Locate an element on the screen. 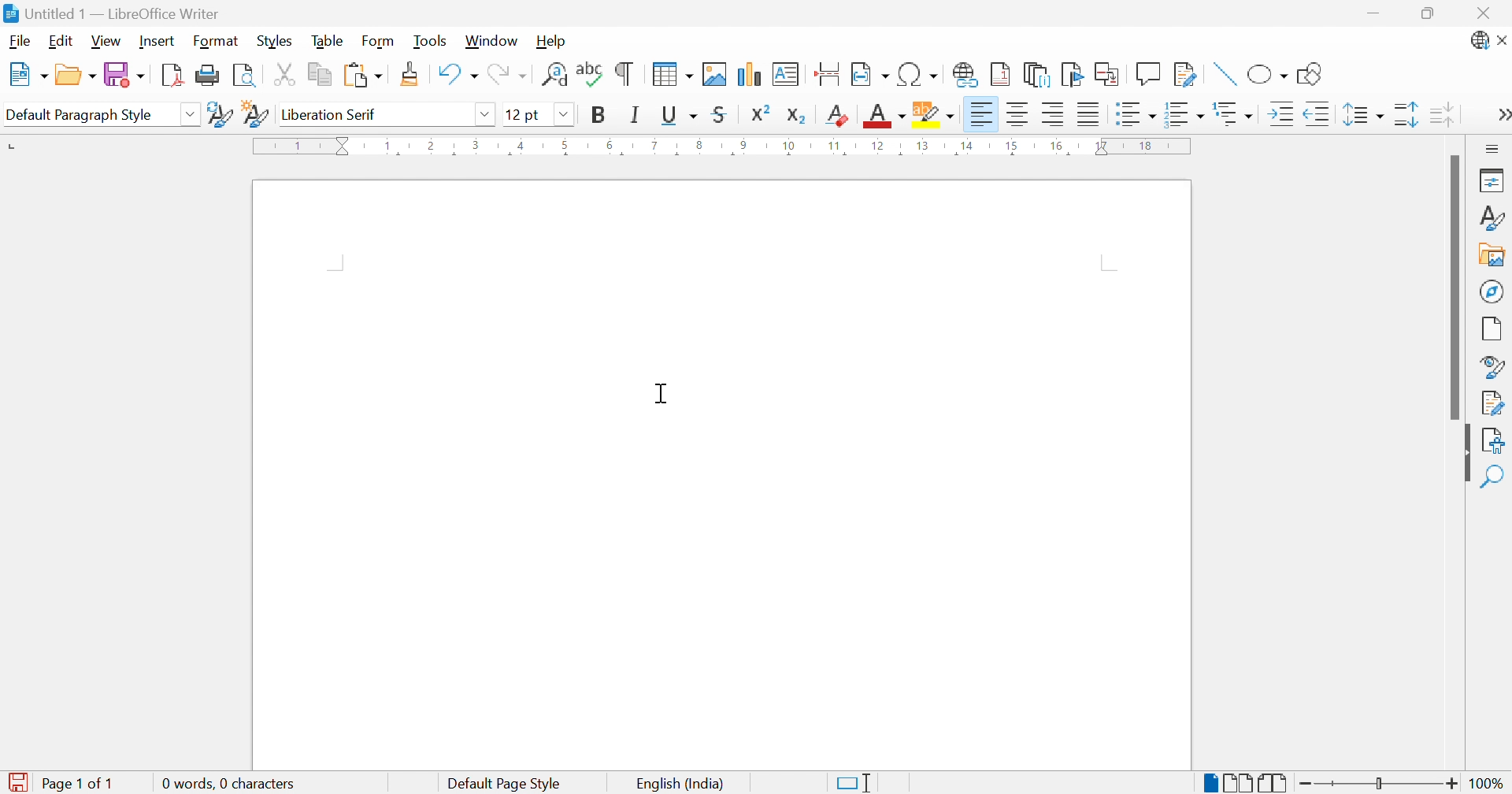 The height and width of the screenshot is (794, 1512). Accessibility check is located at coordinates (1492, 440).